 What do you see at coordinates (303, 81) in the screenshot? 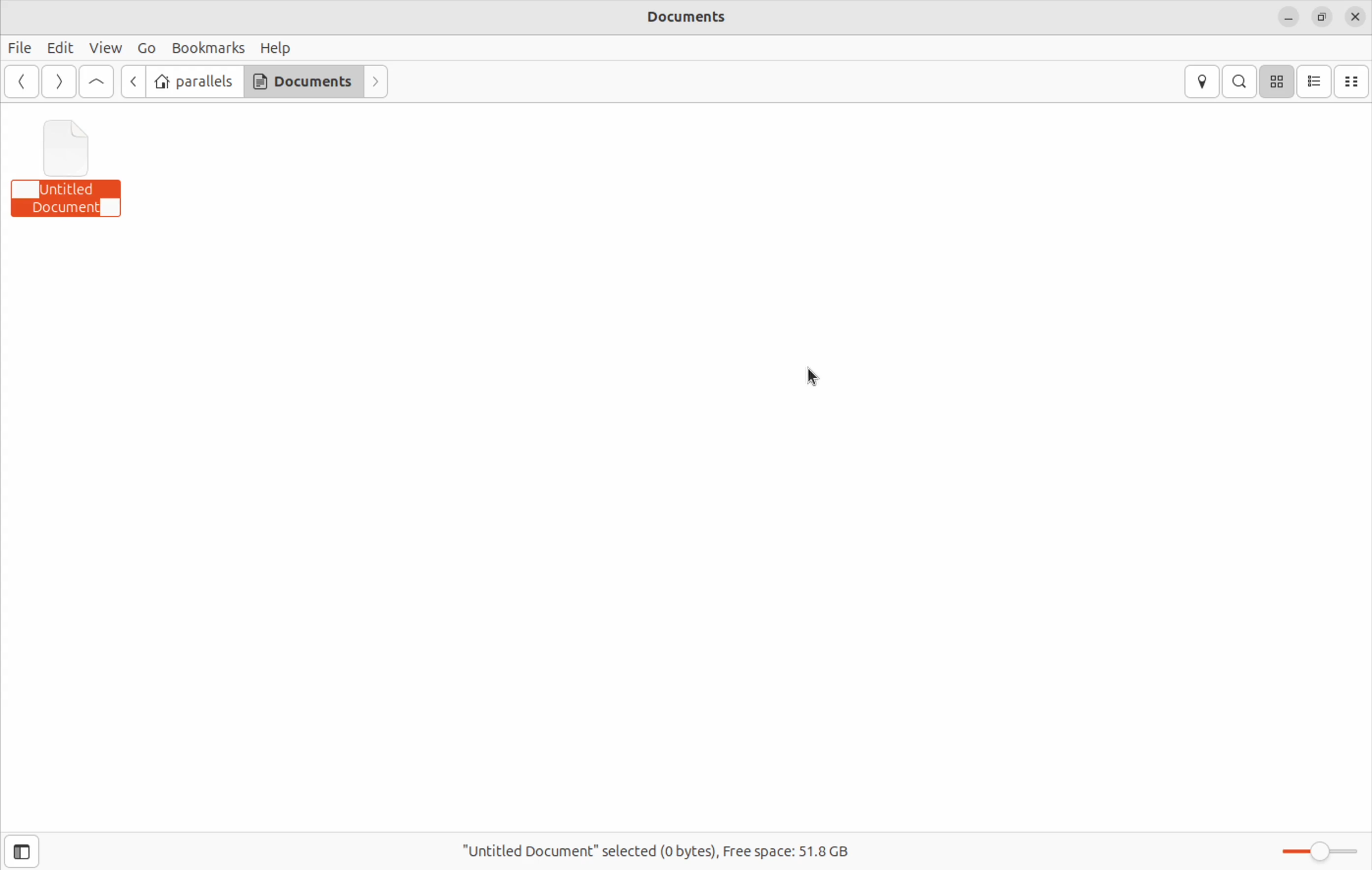
I see `documents` at bounding box center [303, 81].